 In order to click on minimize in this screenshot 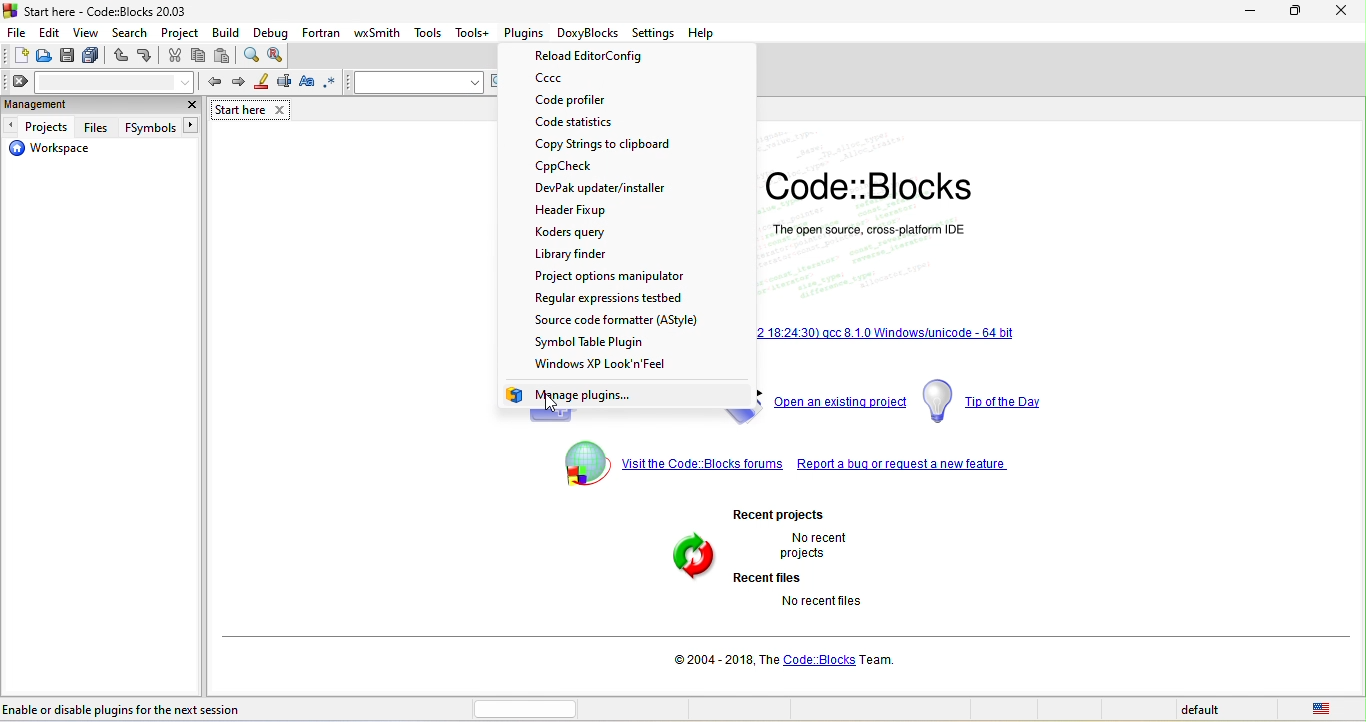, I will do `click(1250, 15)`.